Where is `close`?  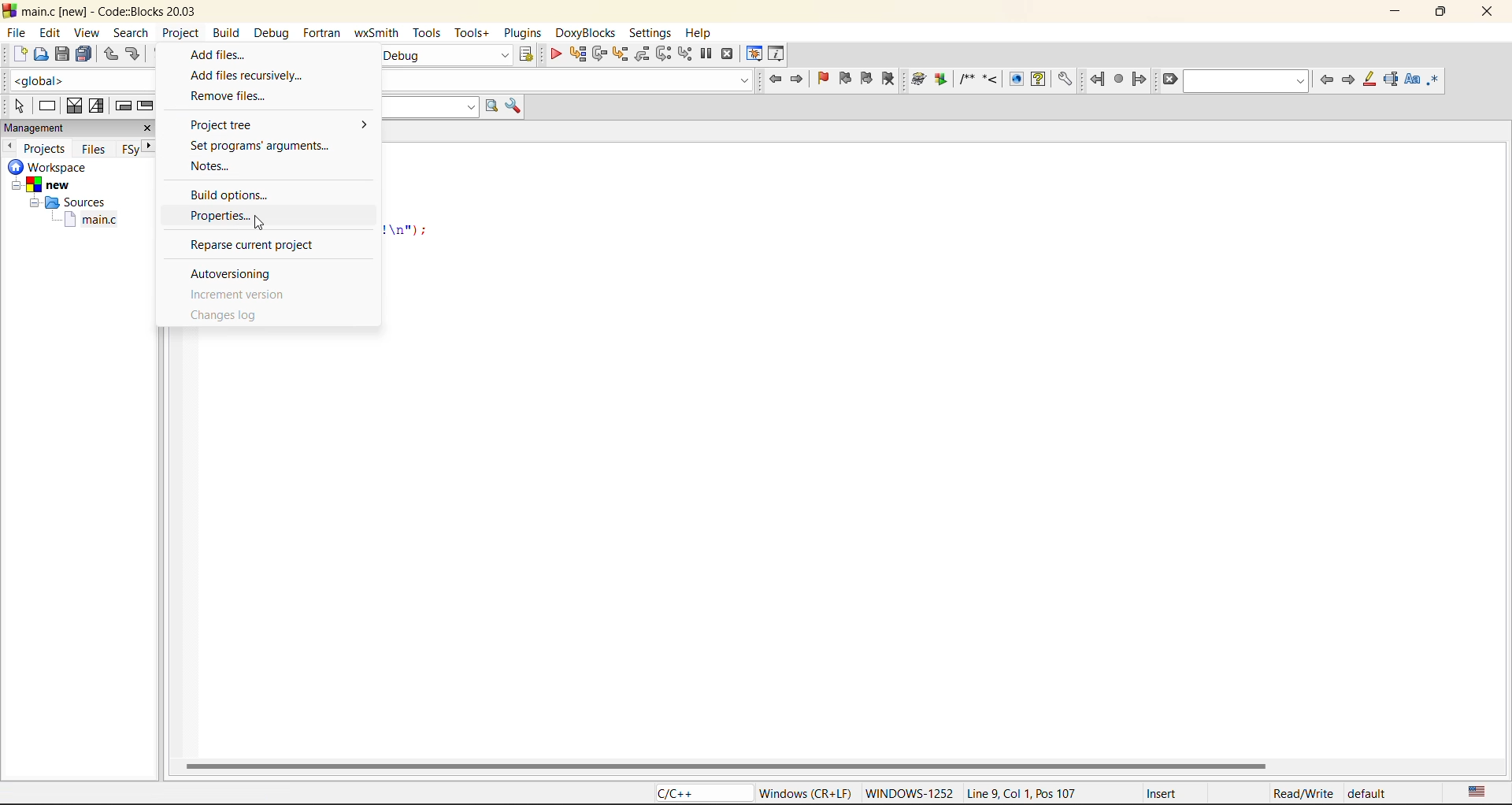
close is located at coordinates (1488, 15).